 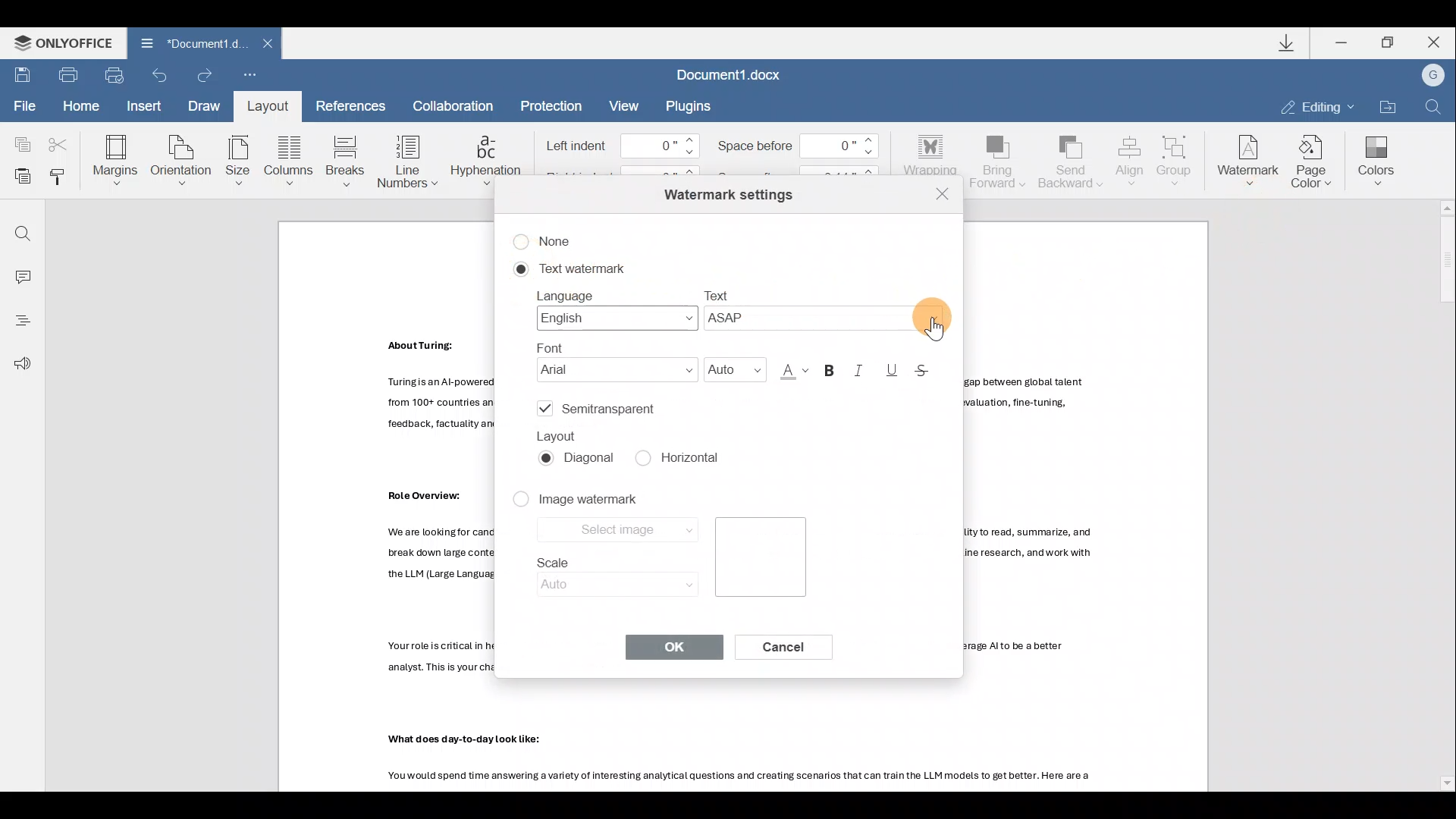 What do you see at coordinates (86, 106) in the screenshot?
I see `Home` at bounding box center [86, 106].